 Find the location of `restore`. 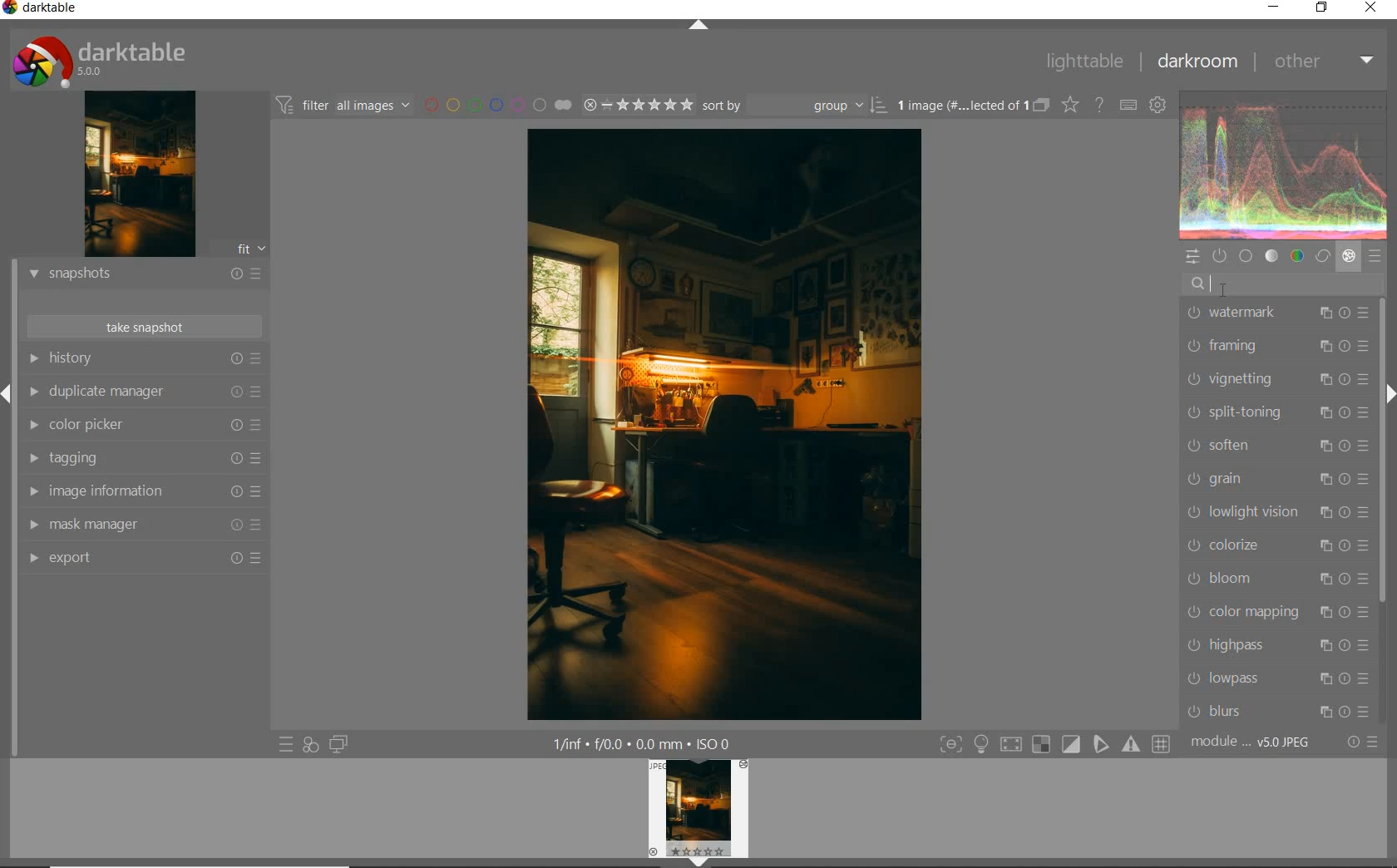

restore is located at coordinates (1325, 9).